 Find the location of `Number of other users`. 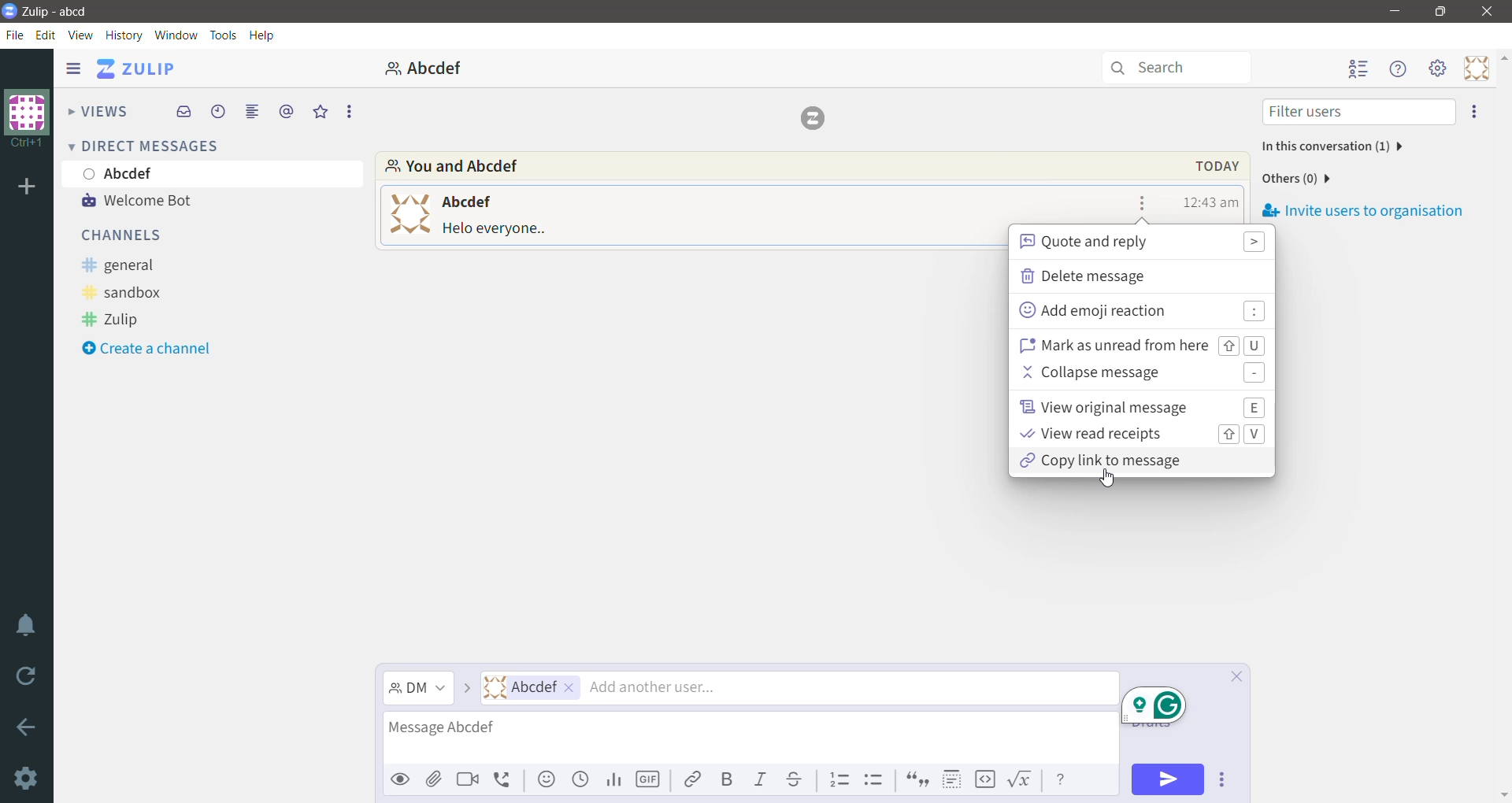

Number of other users is located at coordinates (1297, 179).